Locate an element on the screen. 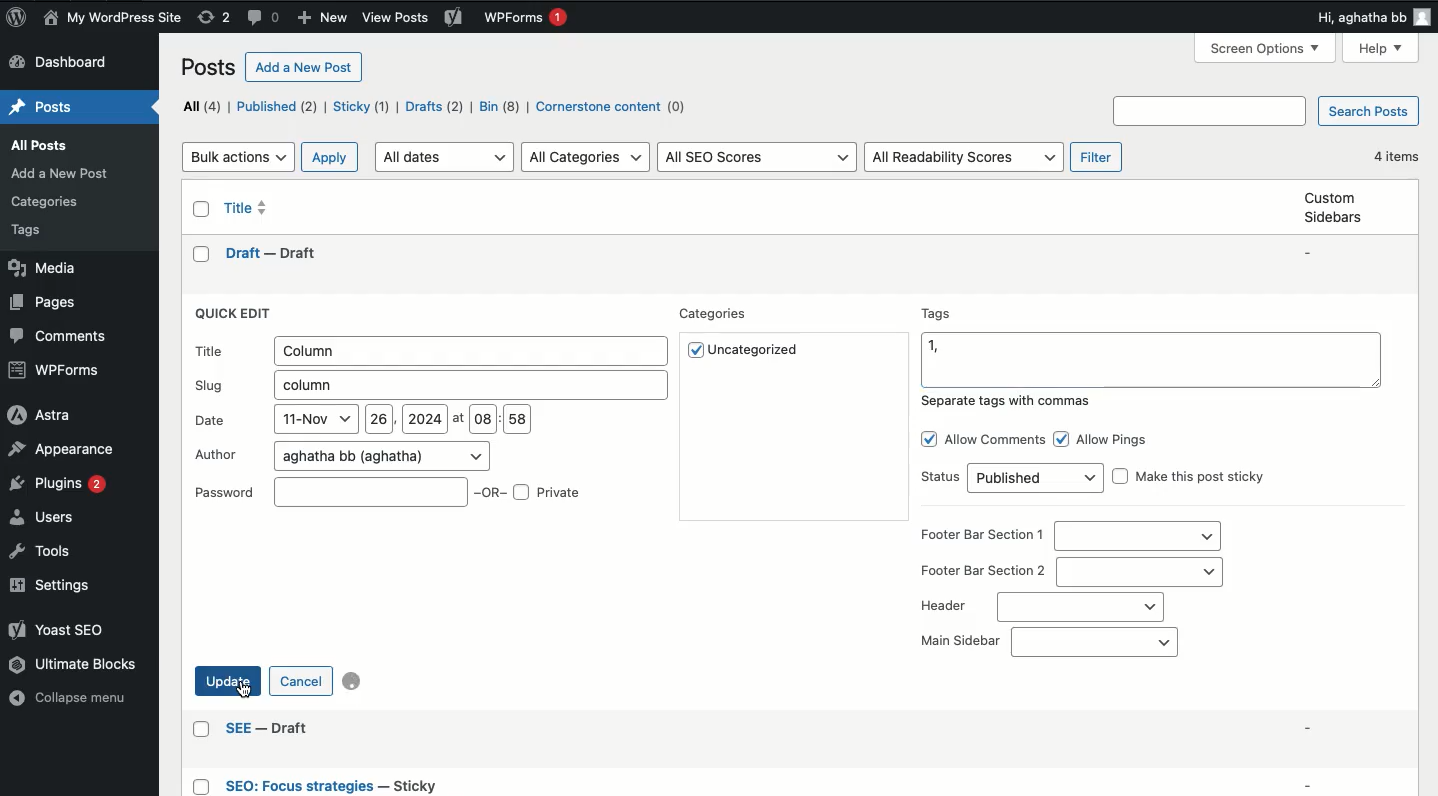  Hi user is located at coordinates (1373, 17).